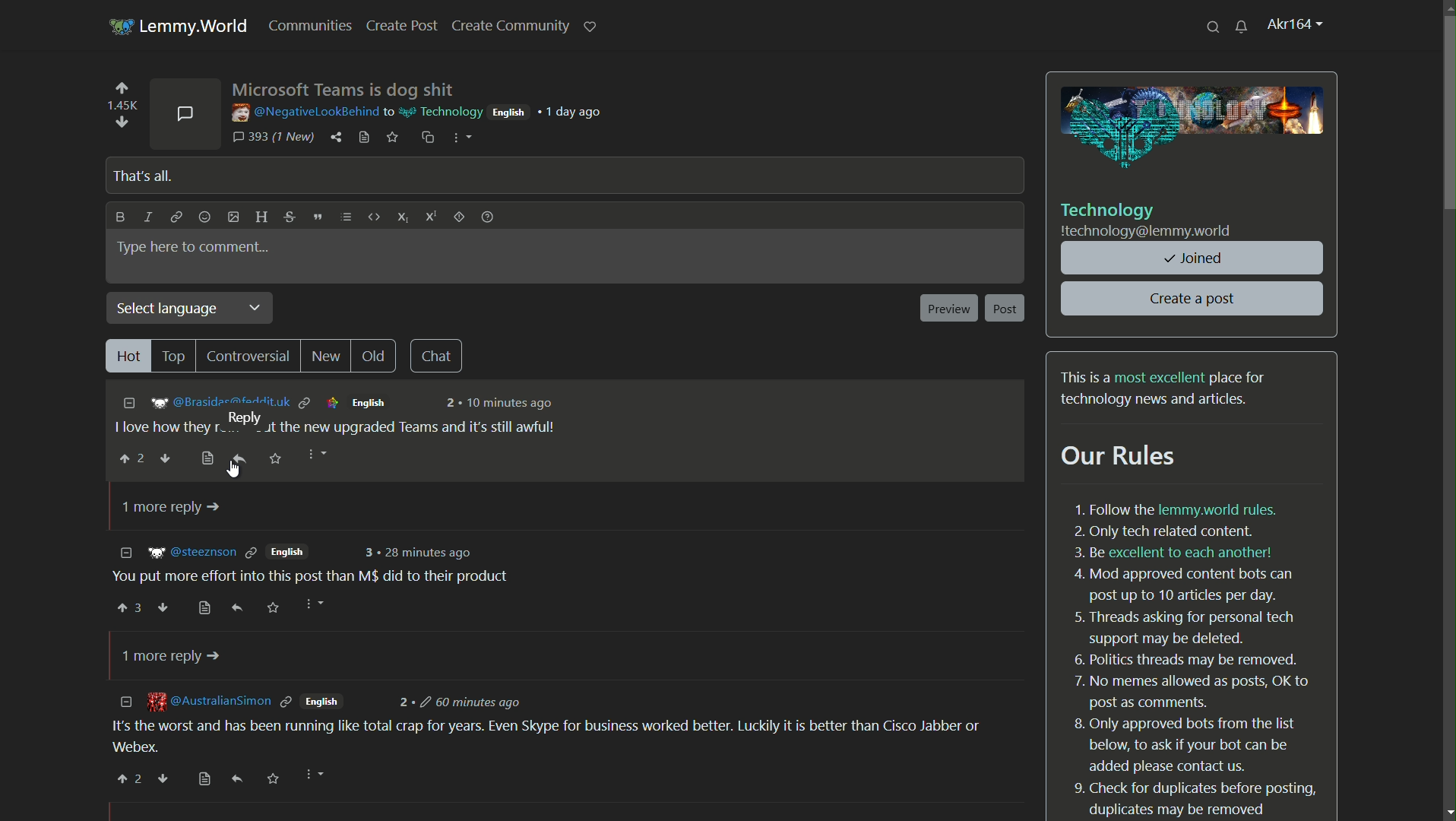  What do you see at coordinates (128, 460) in the screenshot?
I see `upvote` at bounding box center [128, 460].